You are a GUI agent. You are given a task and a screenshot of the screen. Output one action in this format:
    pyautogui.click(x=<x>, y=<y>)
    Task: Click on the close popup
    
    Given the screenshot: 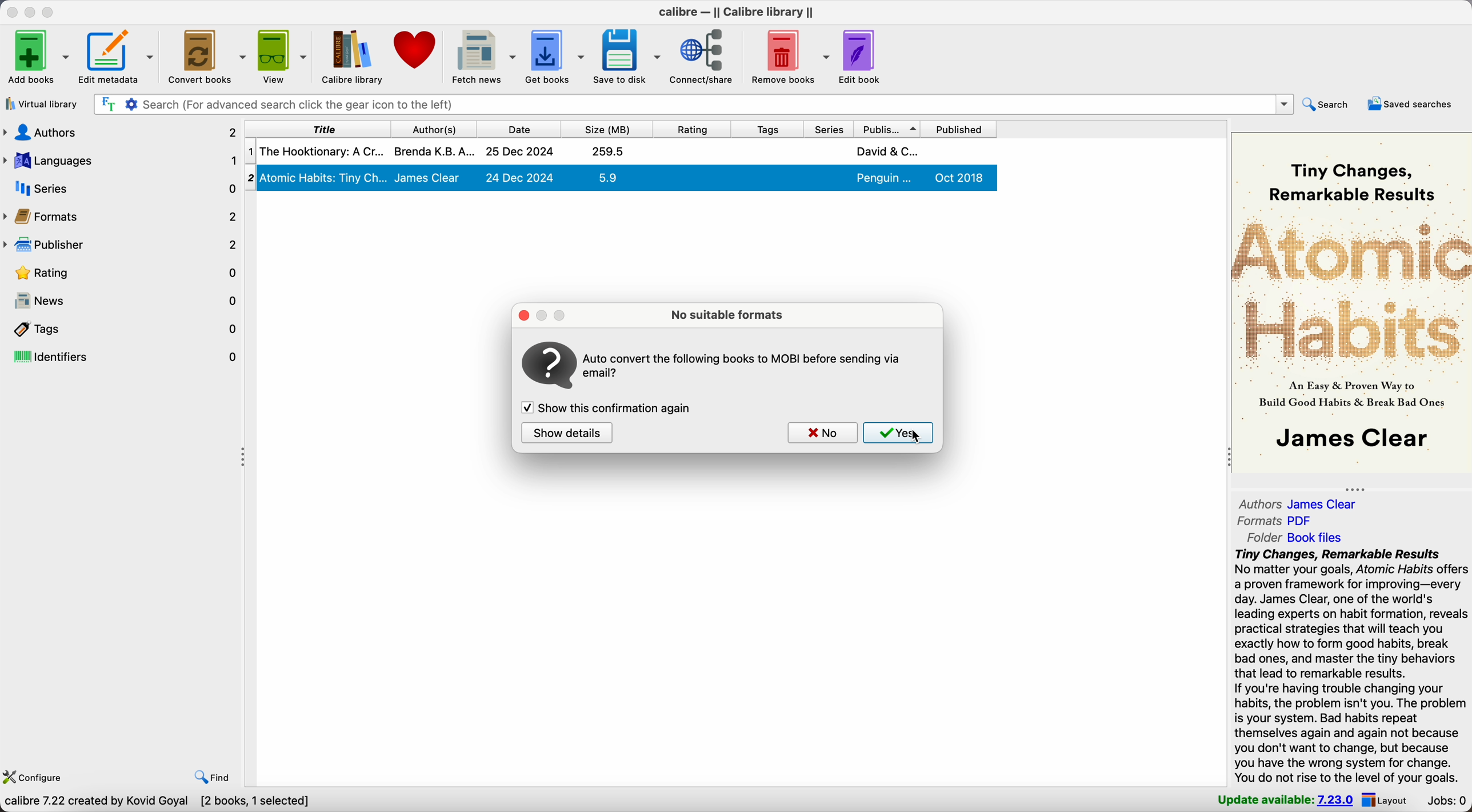 What is the action you would take?
    pyautogui.click(x=521, y=317)
    